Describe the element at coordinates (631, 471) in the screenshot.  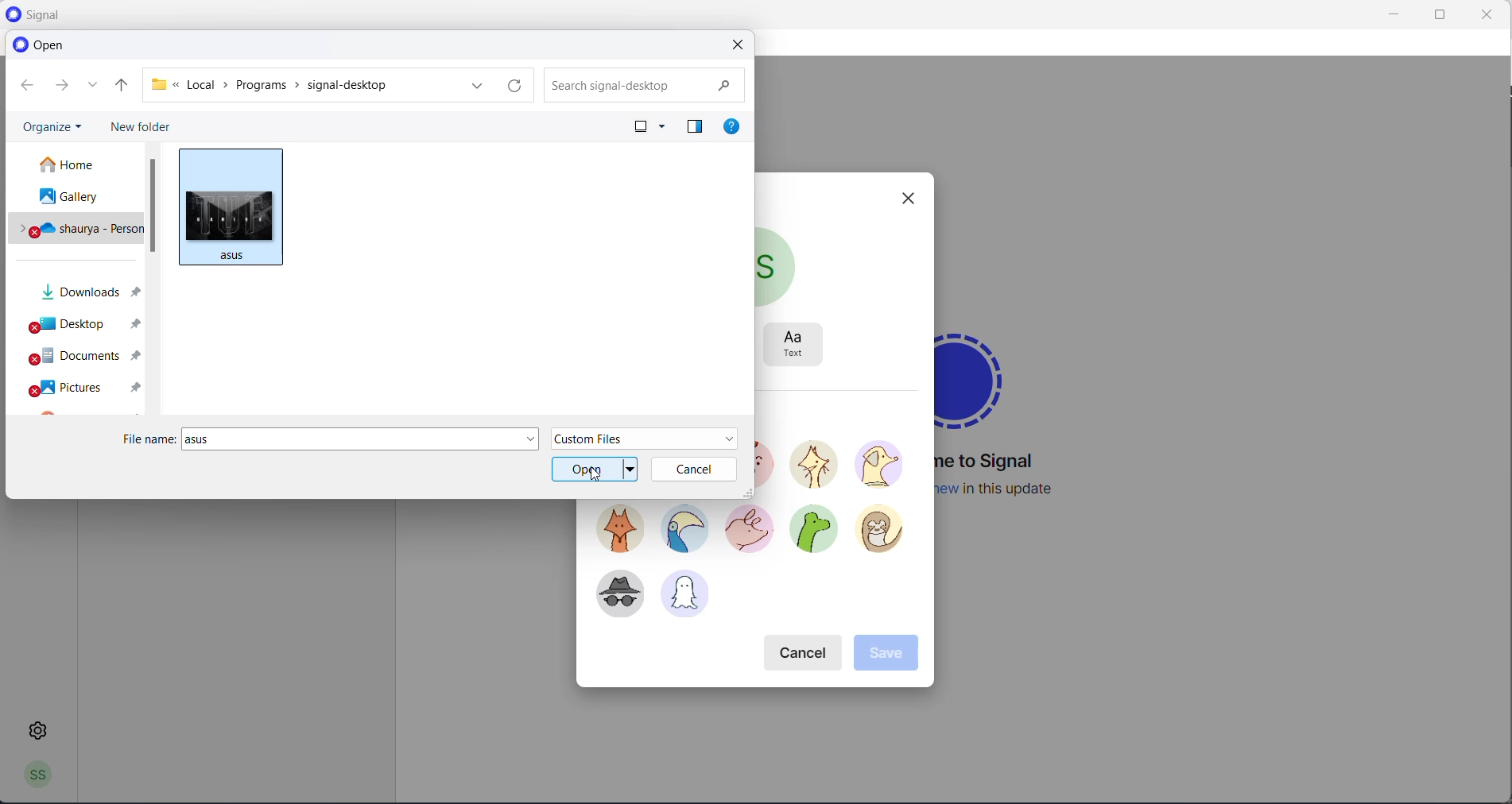
I see `open dropdown` at that location.